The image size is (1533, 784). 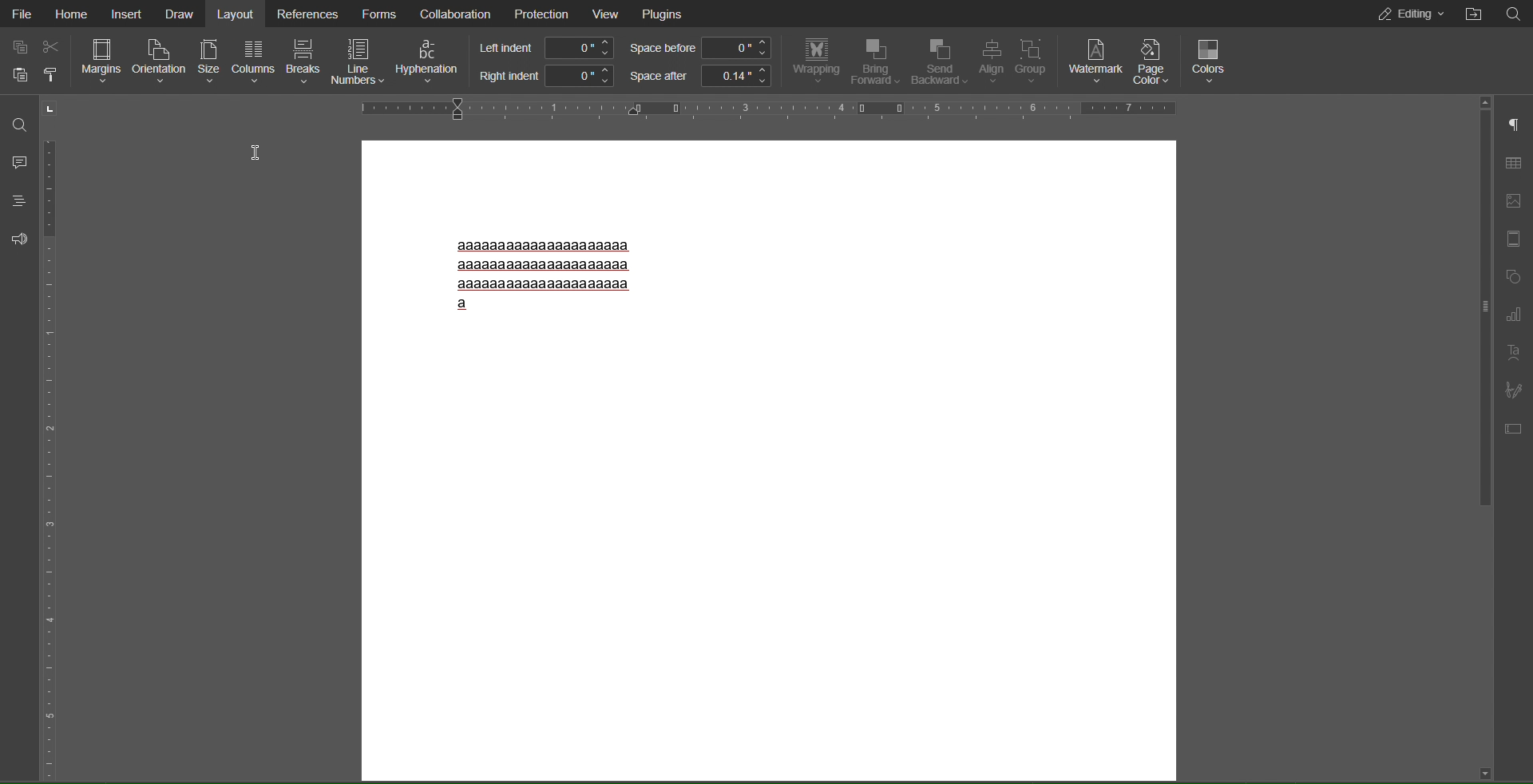 I want to click on paste, so click(x=18, y=78).